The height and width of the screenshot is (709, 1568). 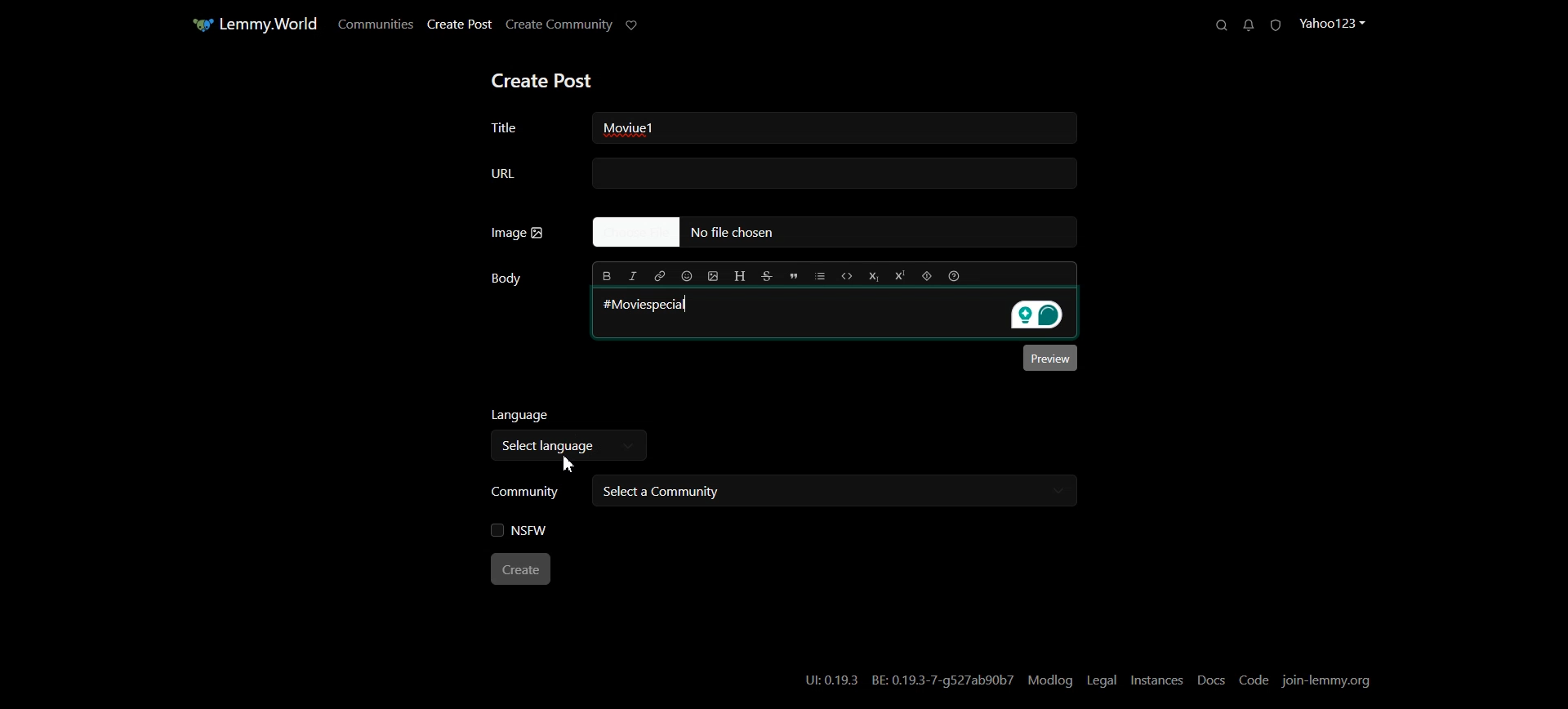 I want to click on Bold , so click(x=607, y=275).